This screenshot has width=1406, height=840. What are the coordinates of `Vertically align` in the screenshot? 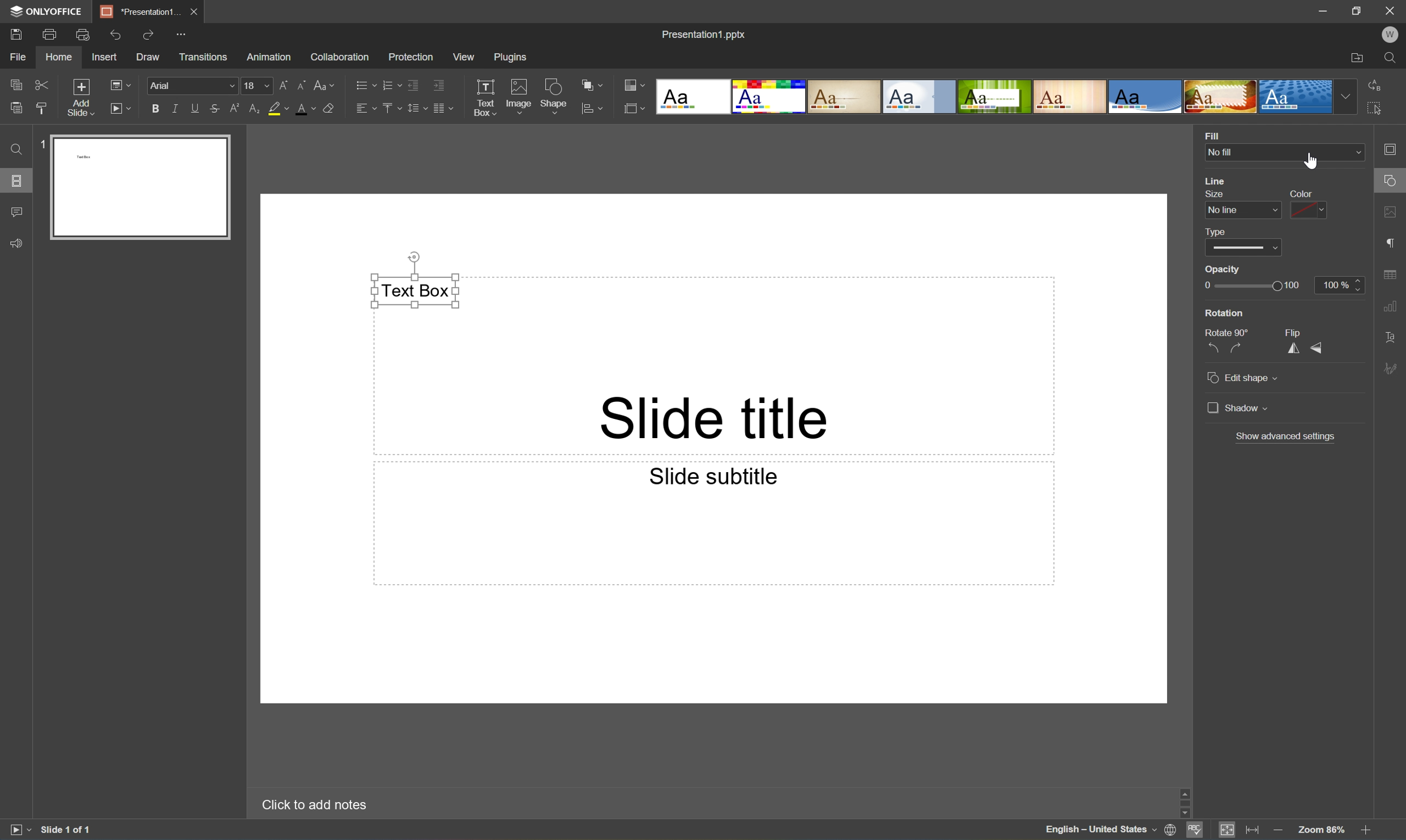 It's located at (390, 110).